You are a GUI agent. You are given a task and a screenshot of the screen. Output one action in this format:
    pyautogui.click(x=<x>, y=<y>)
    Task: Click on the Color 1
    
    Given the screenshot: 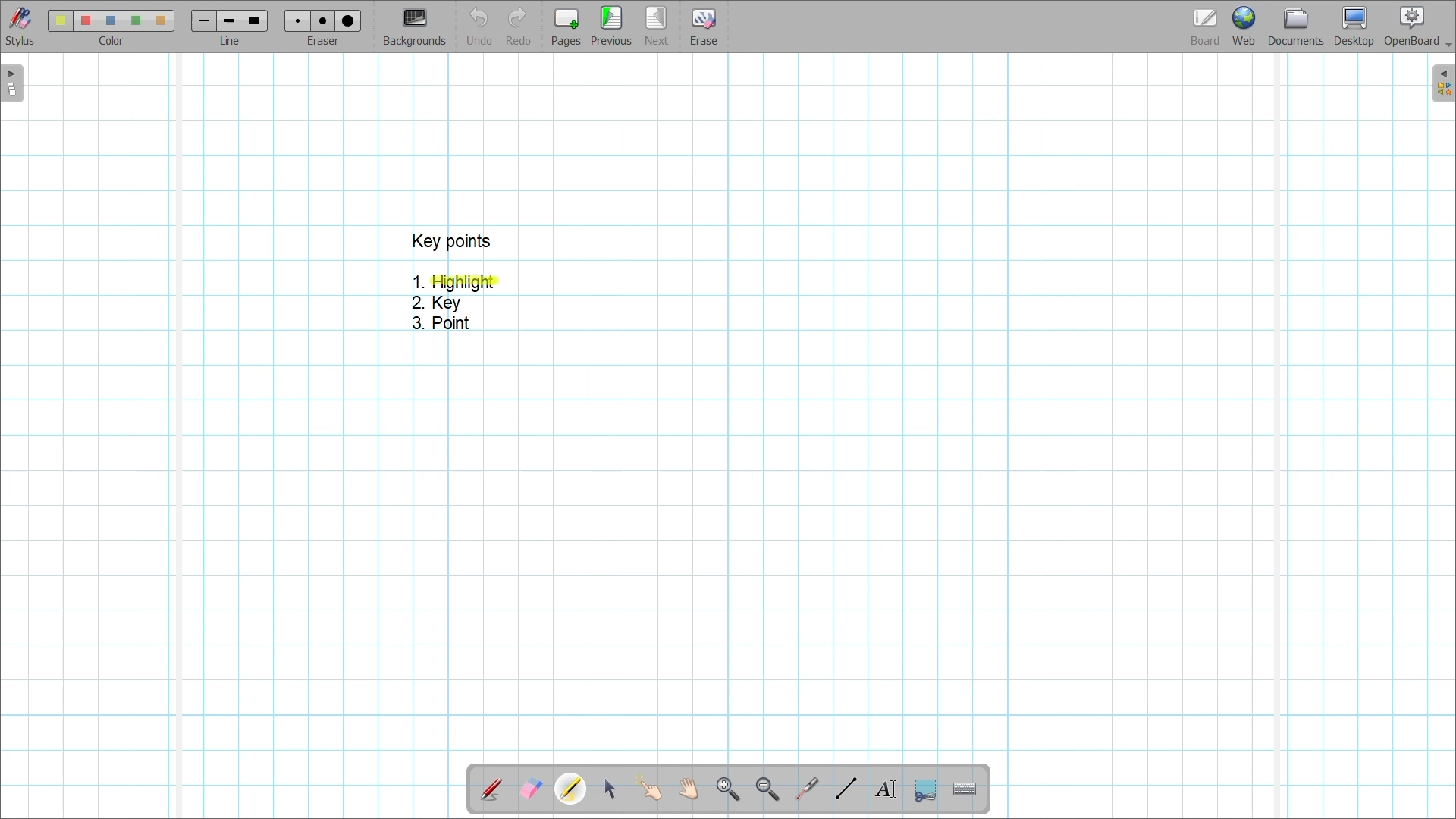 What is the action you would take?
    pyautogui.click(x=60, y=20)
    